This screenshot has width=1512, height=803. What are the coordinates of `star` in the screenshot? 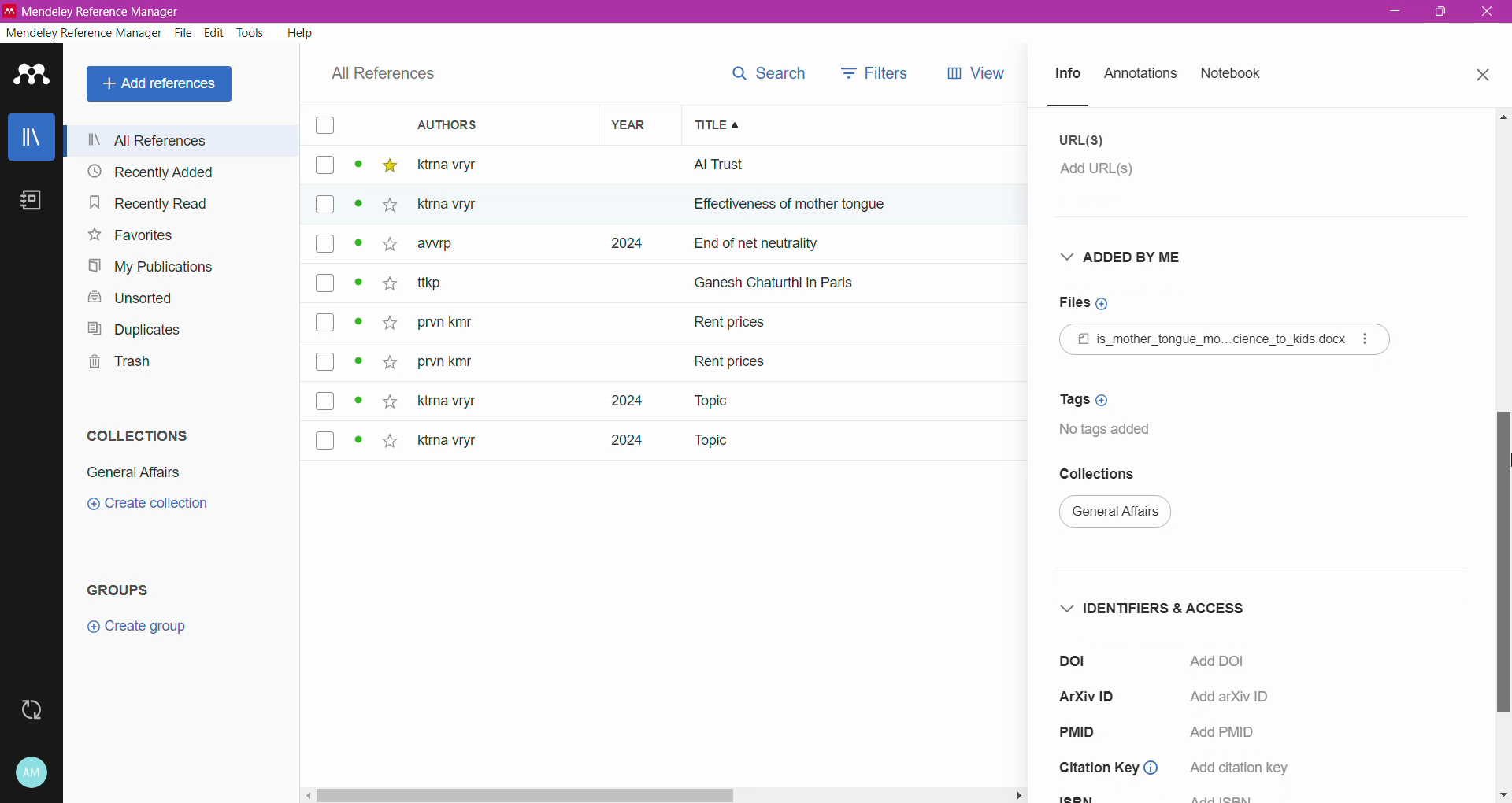 It's located at (387, 324).